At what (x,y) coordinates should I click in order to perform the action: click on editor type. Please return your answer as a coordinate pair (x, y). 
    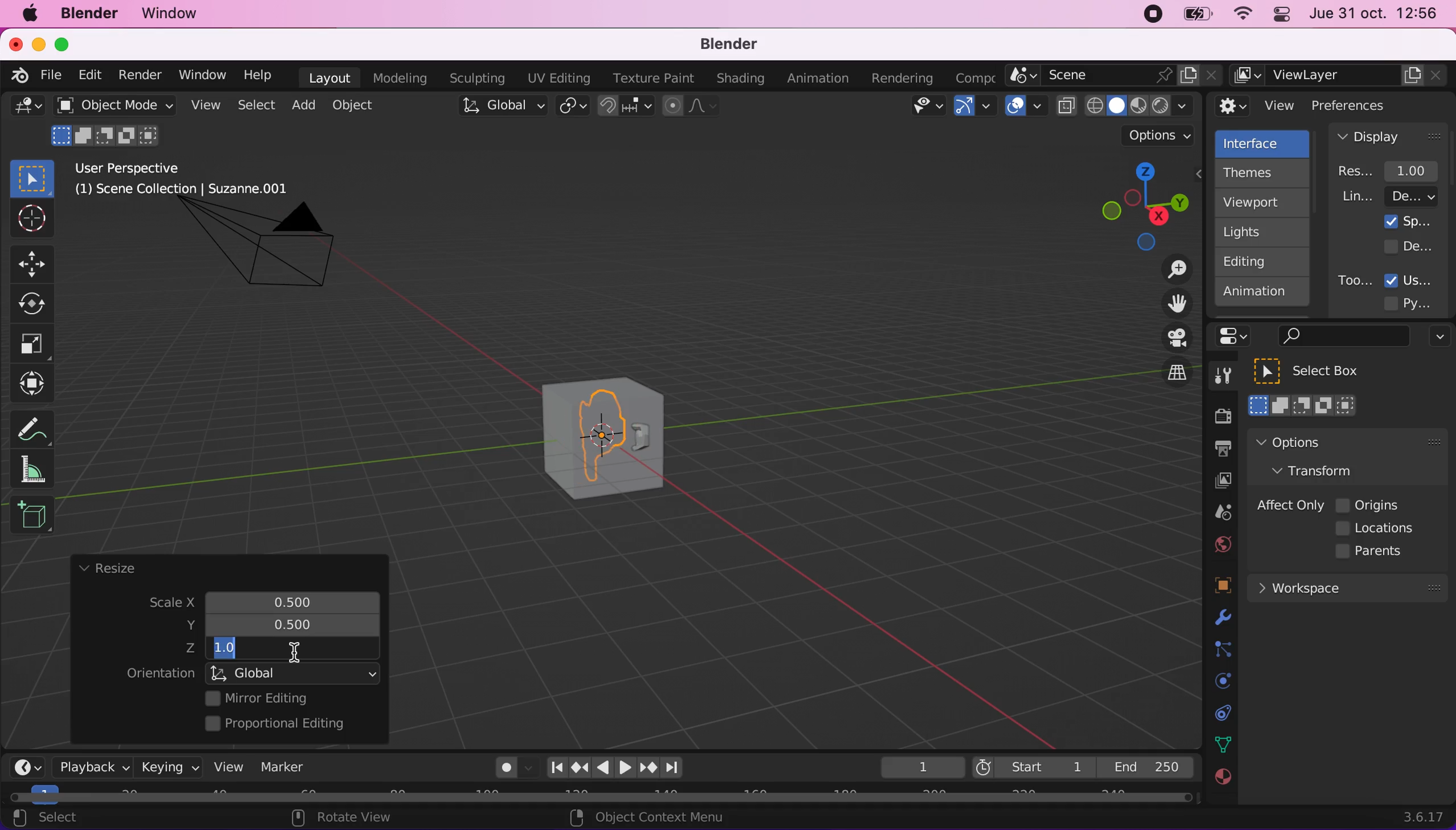
    Looking at the image, I should click on (23, 758).